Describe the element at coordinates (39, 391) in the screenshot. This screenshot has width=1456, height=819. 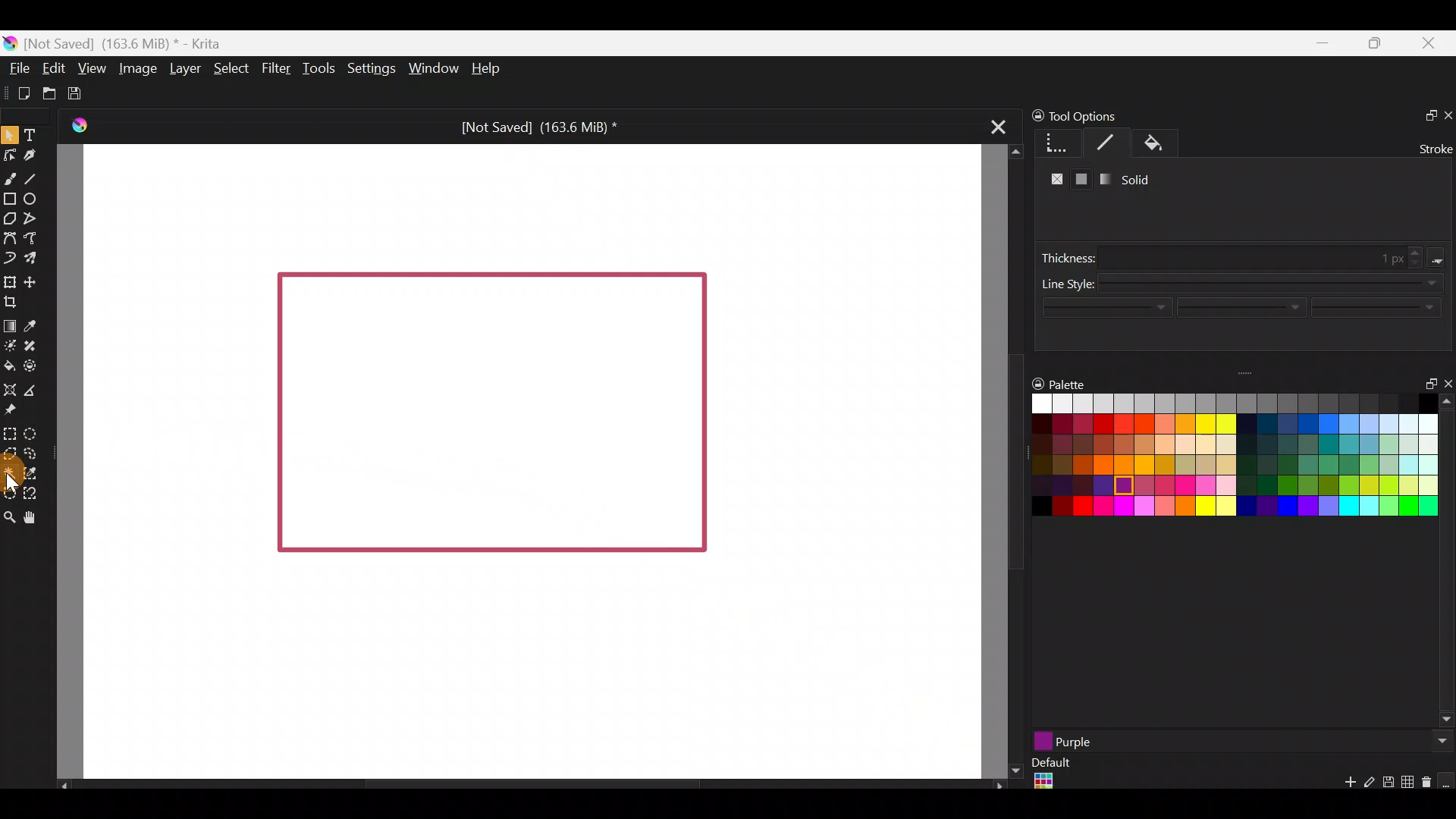
I see `Measure the distance between two points` at that location.